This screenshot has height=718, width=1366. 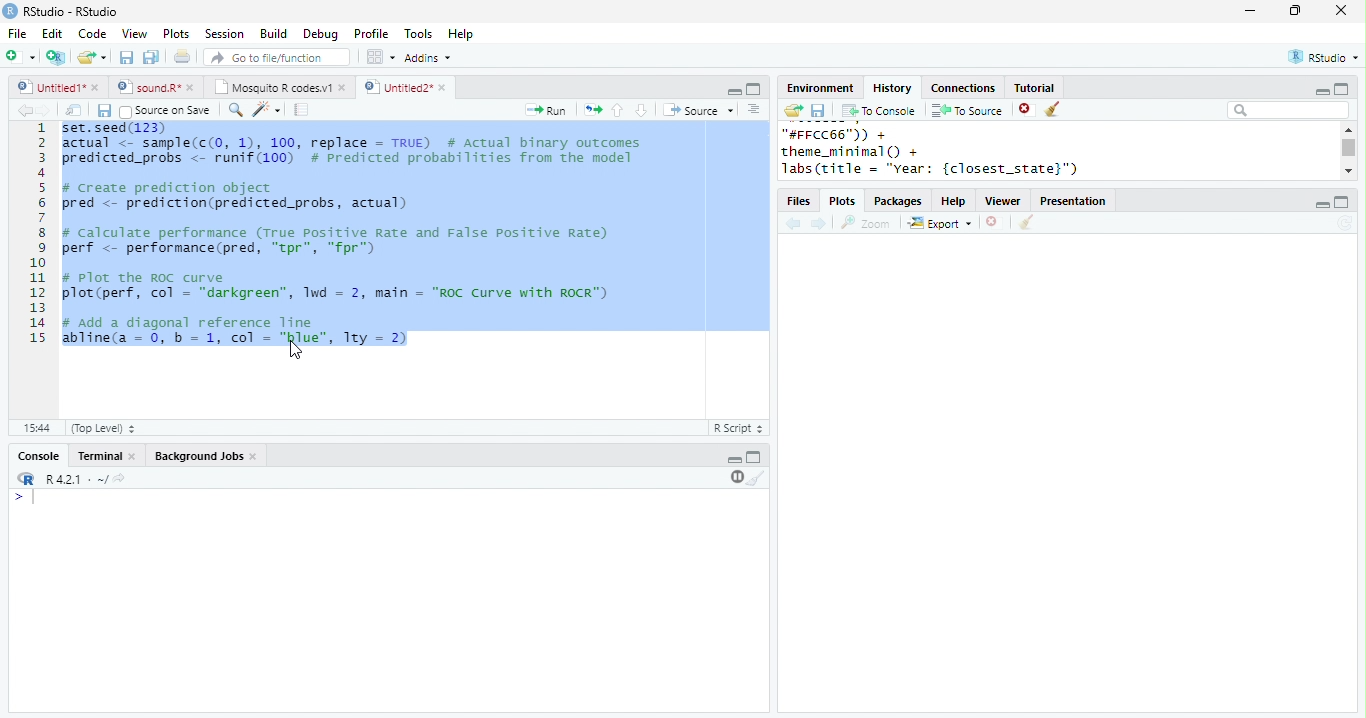 I want to click on Connections, so click(x=962, y=88).